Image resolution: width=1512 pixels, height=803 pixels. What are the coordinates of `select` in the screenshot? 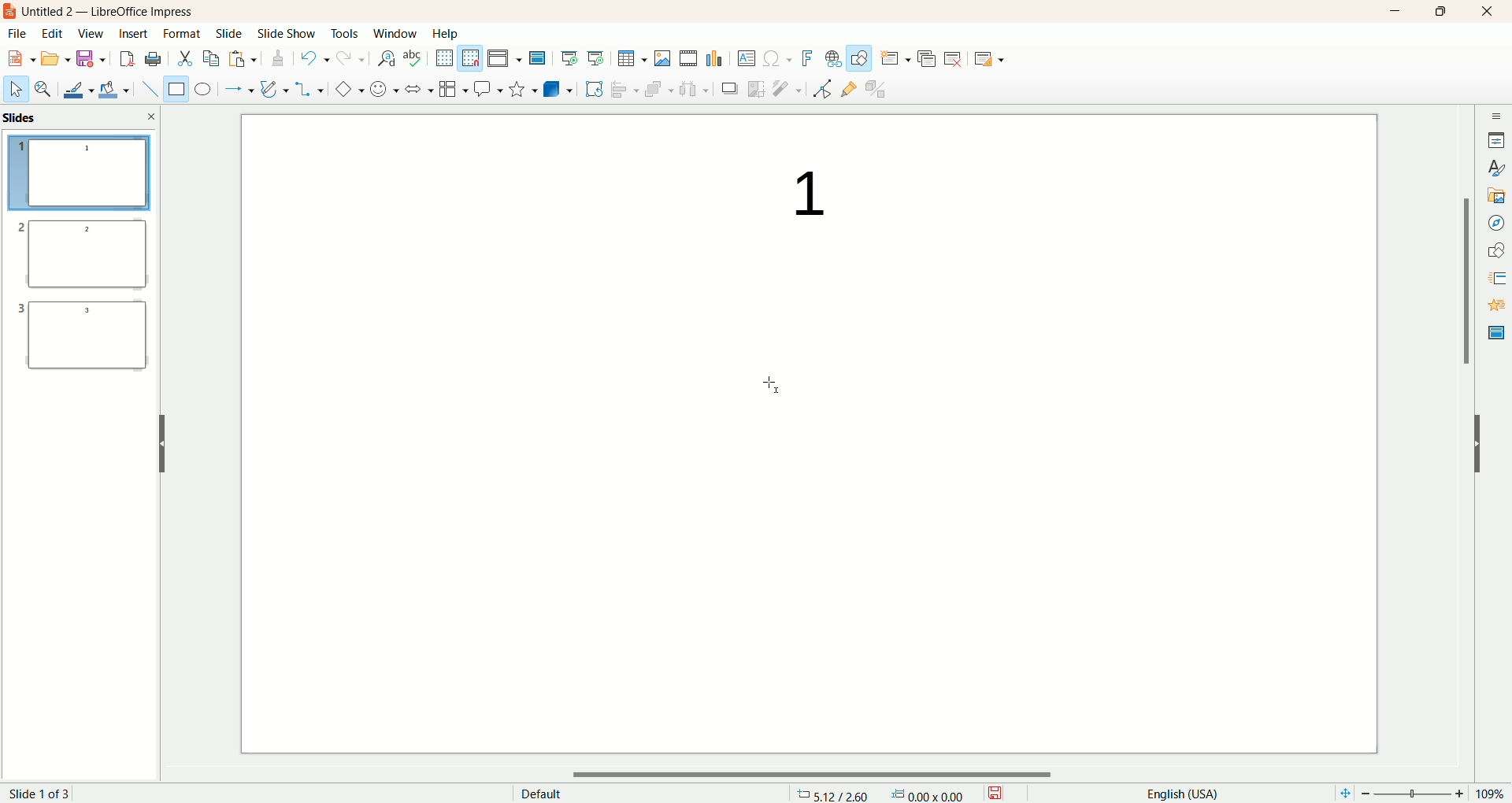 It's located at (16, 92).